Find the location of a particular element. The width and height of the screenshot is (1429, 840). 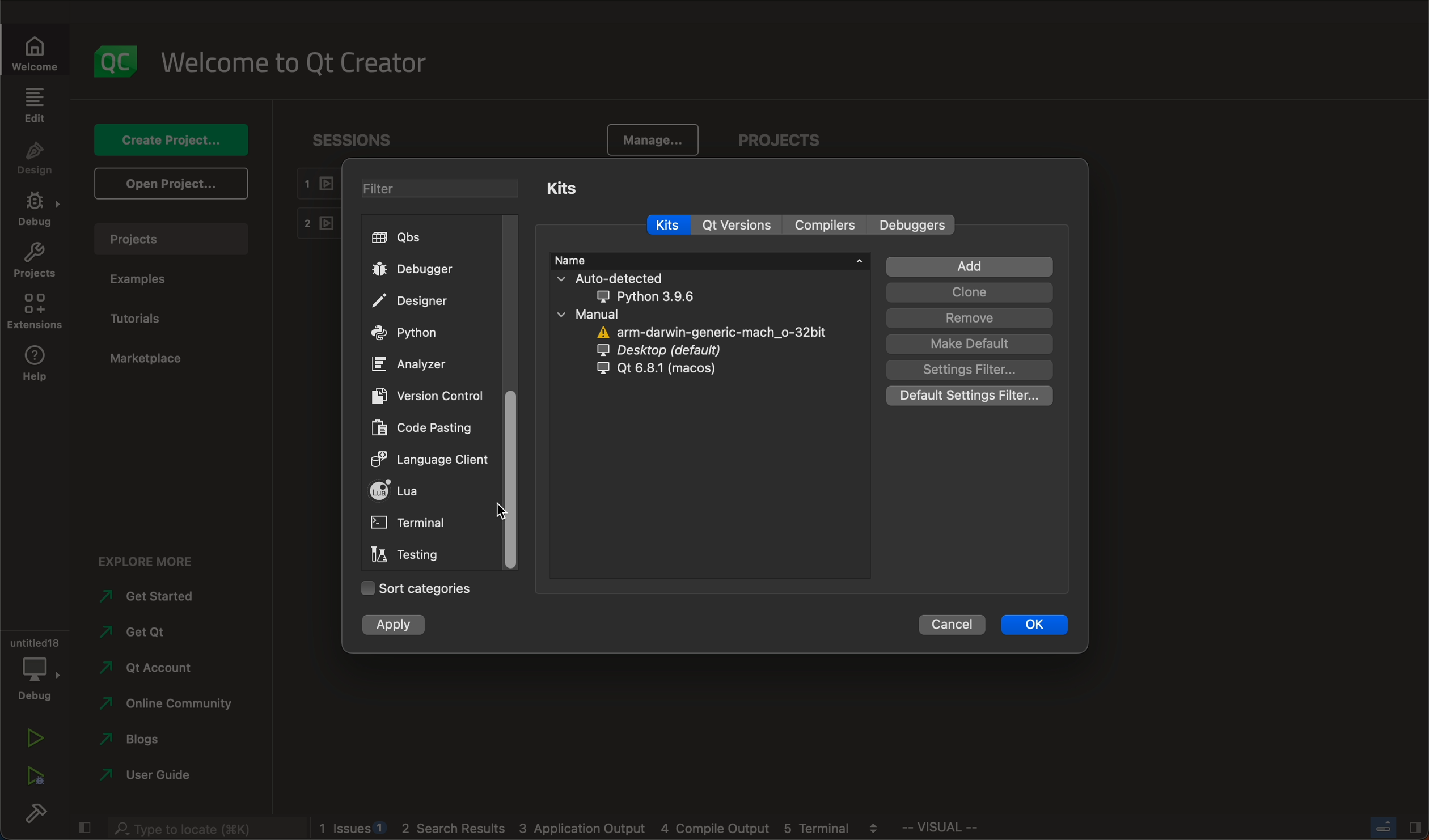

desktop is located at coordinates (666, 352).